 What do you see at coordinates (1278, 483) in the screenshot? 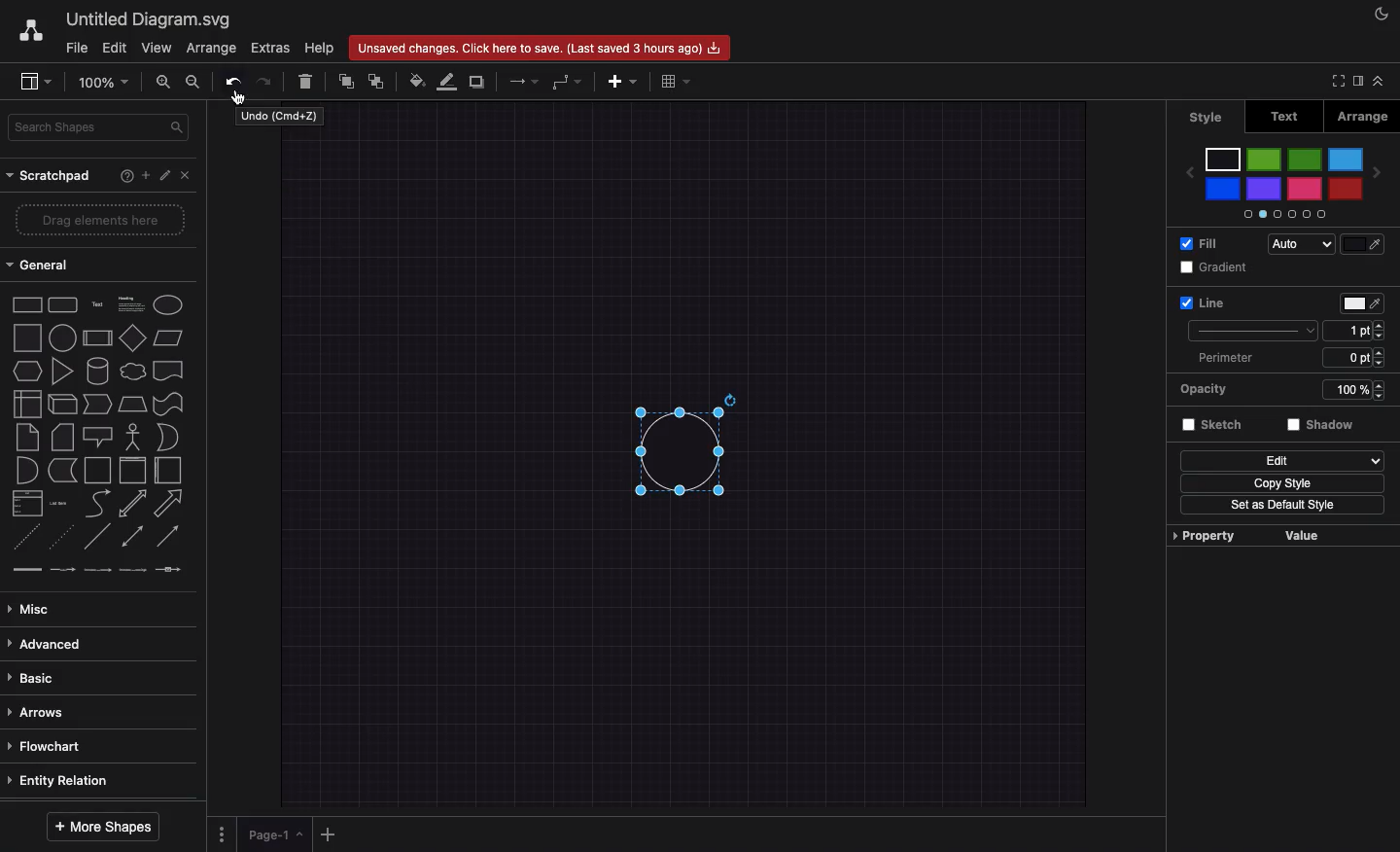
I see `Copy style` at bounding box center [1278, 483].